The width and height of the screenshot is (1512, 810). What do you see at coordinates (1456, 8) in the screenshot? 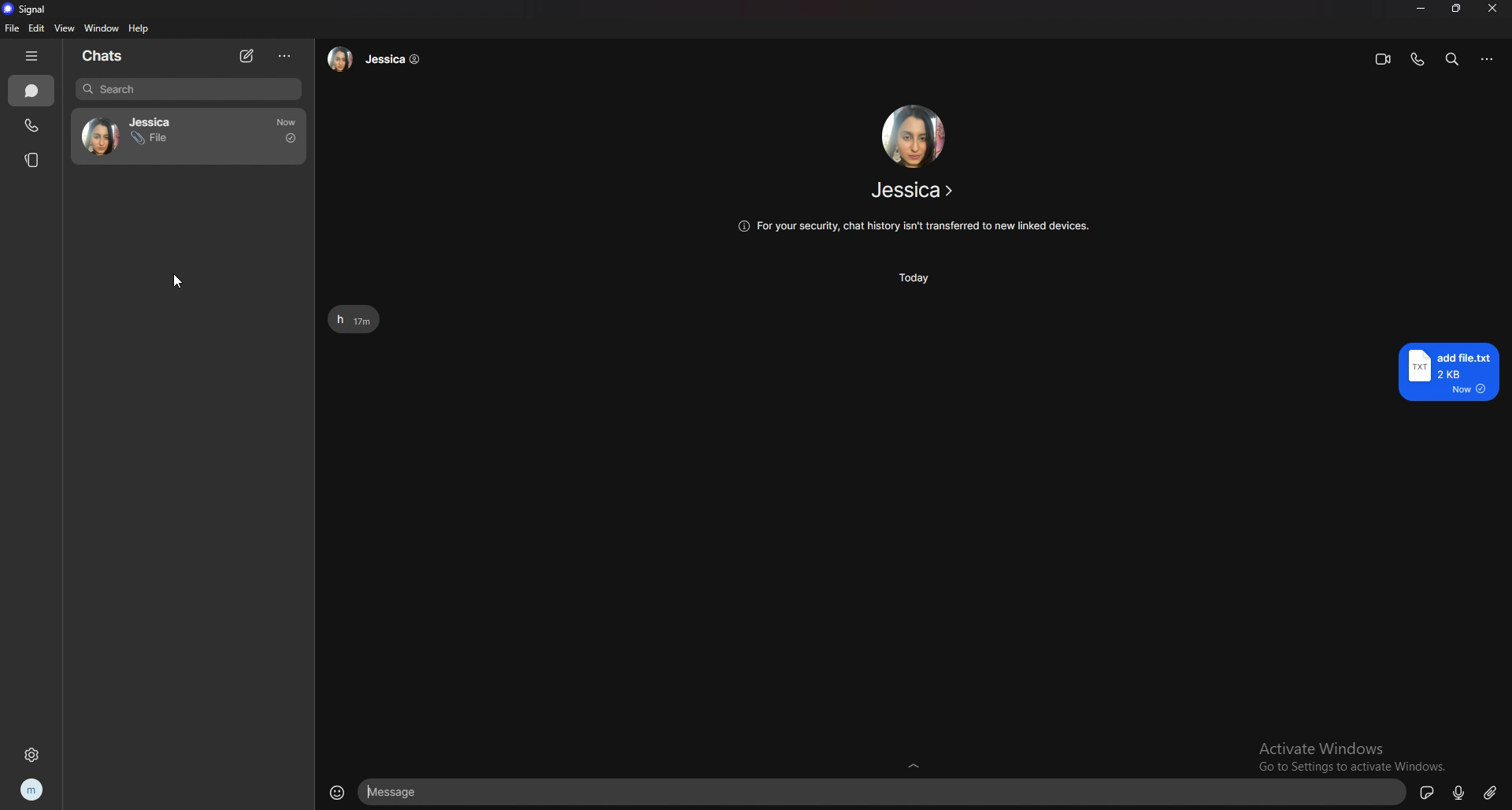
I see `resize` at bounding box center [1456, 8].